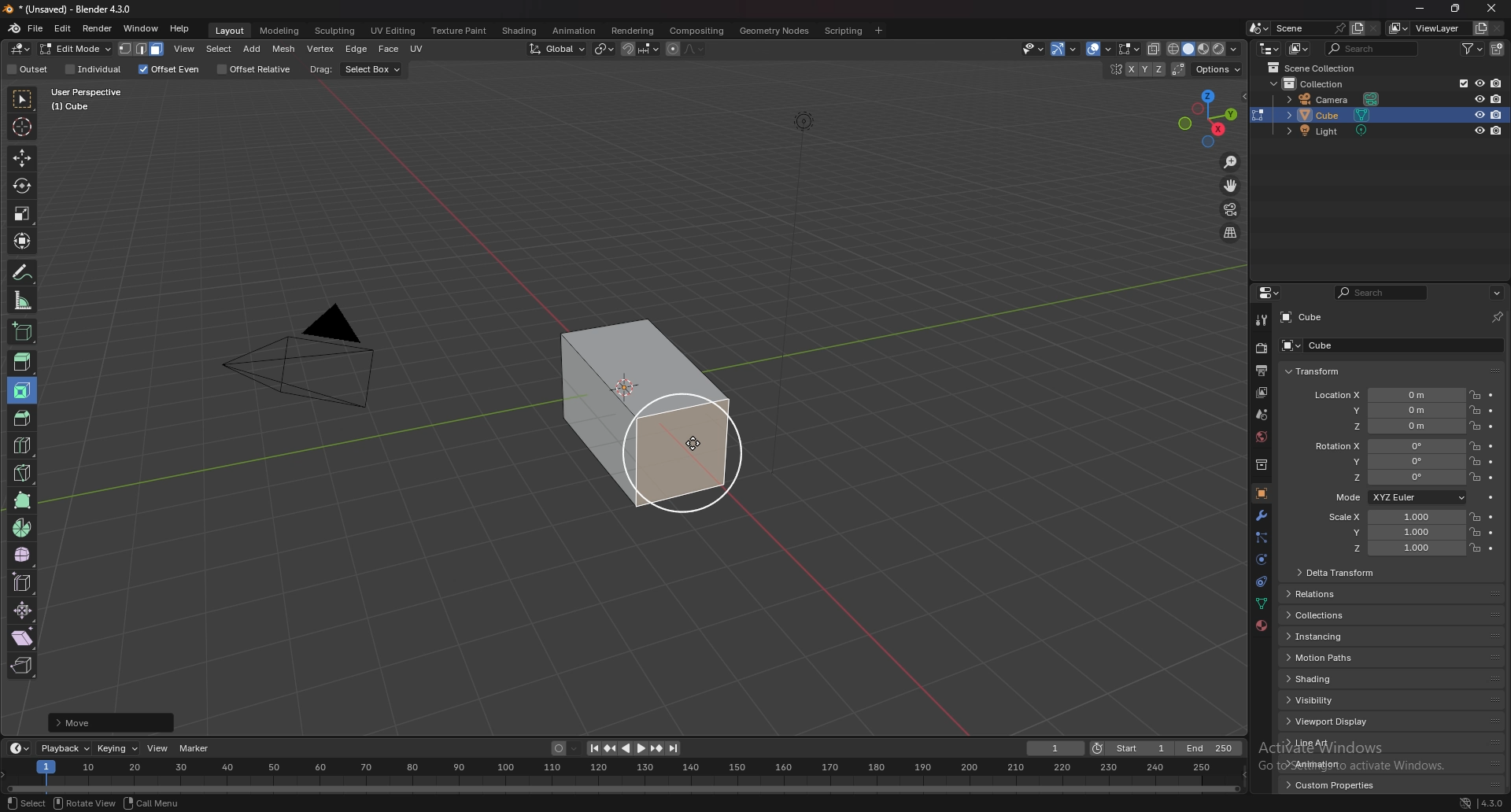 Image resolution: width=1511 pixels, height=812 pixels. What do you see at coordinates (1329, 679) in the screenshot?
I see `shading` at bounding box center [1329, 679].